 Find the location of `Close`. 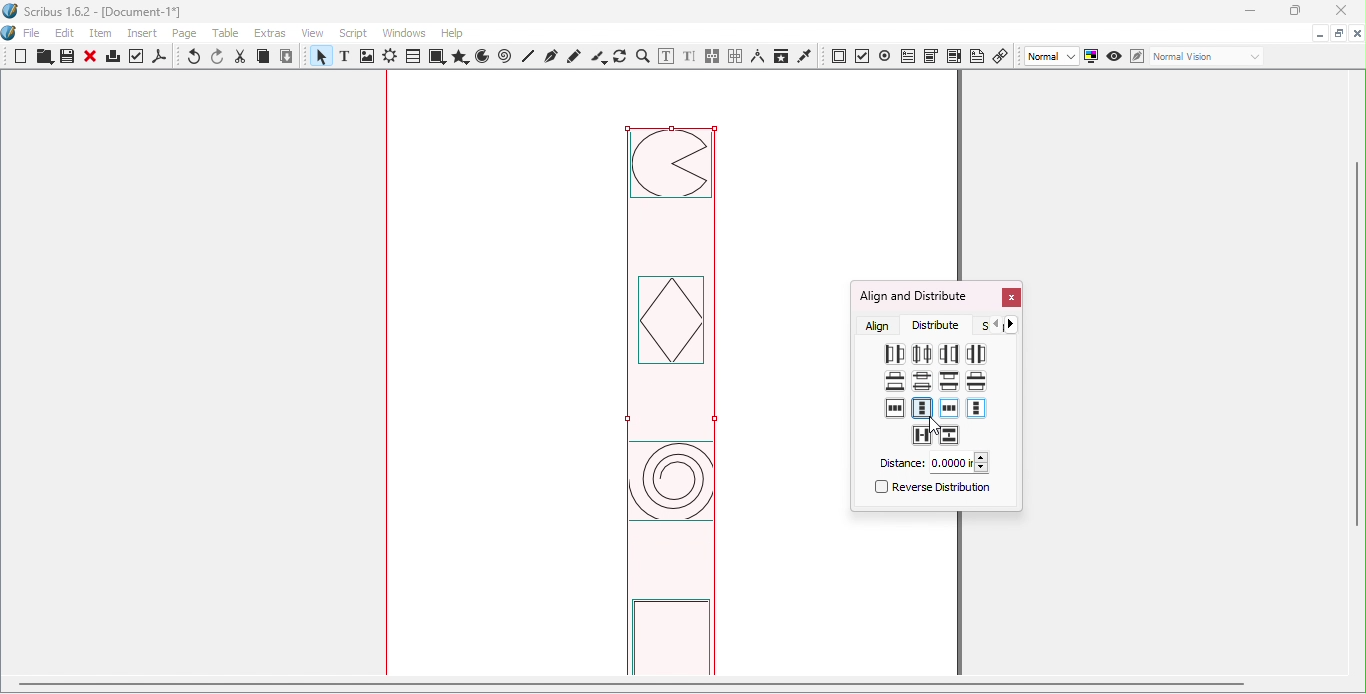

Close is located at coordinates (1010, 299).